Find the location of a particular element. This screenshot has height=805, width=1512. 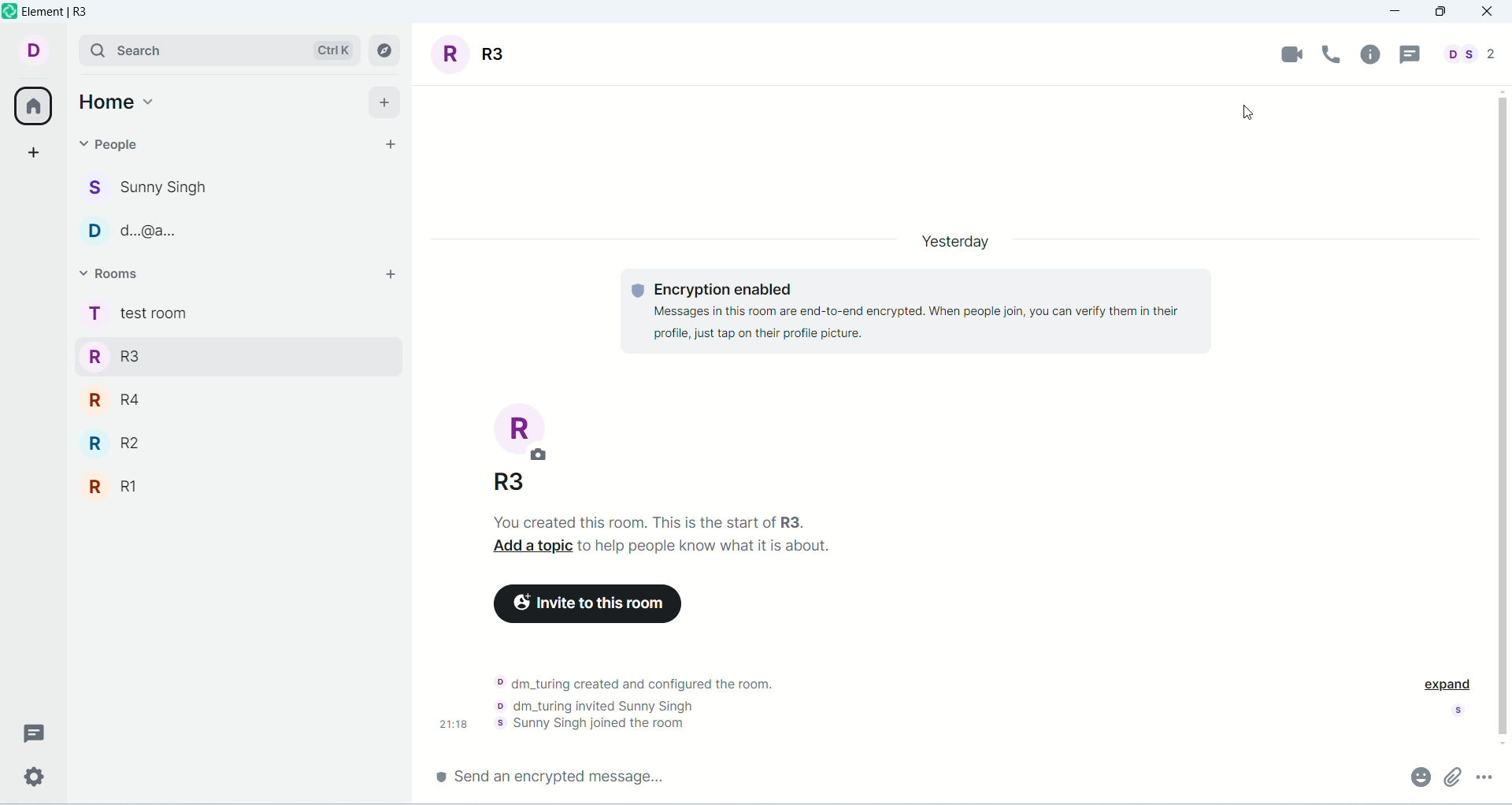

minimize is located at coordinates (1401, 12).